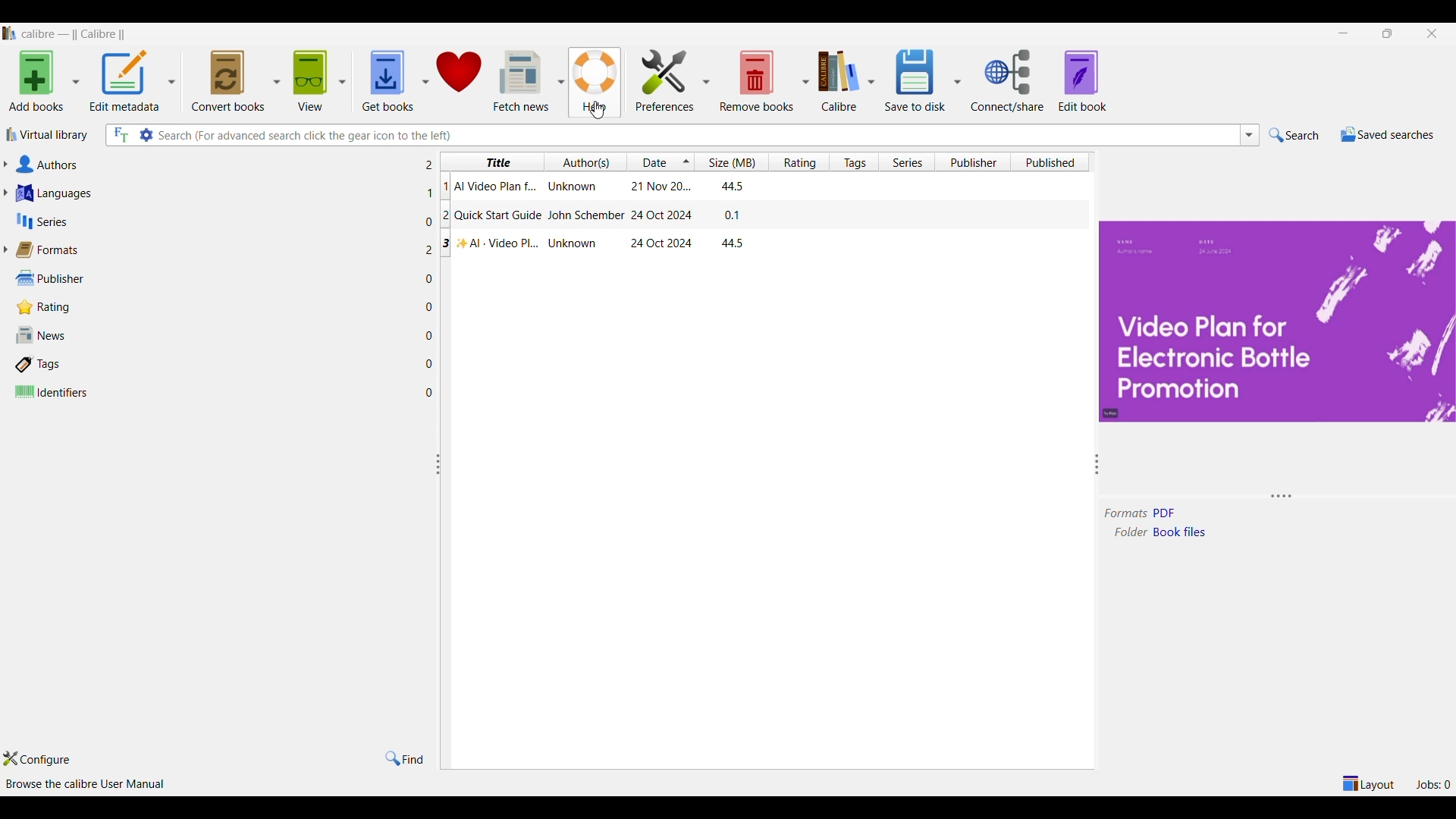  I want to click on Convert books, so click(227, 81).